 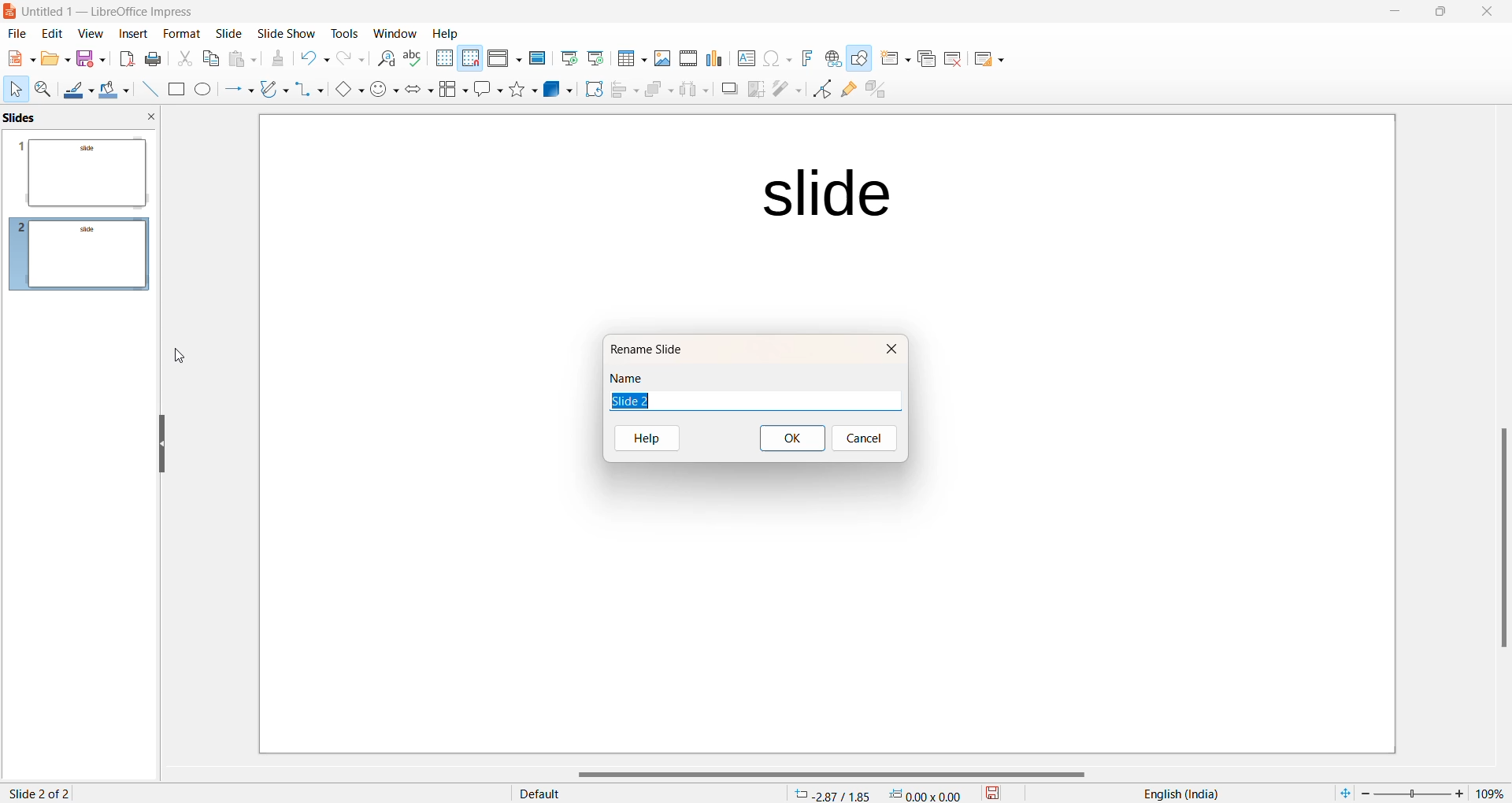 What do you see at coordinates (413, 58) in the screenshot?
I see `Spellings` at bounding box center [413, 58].